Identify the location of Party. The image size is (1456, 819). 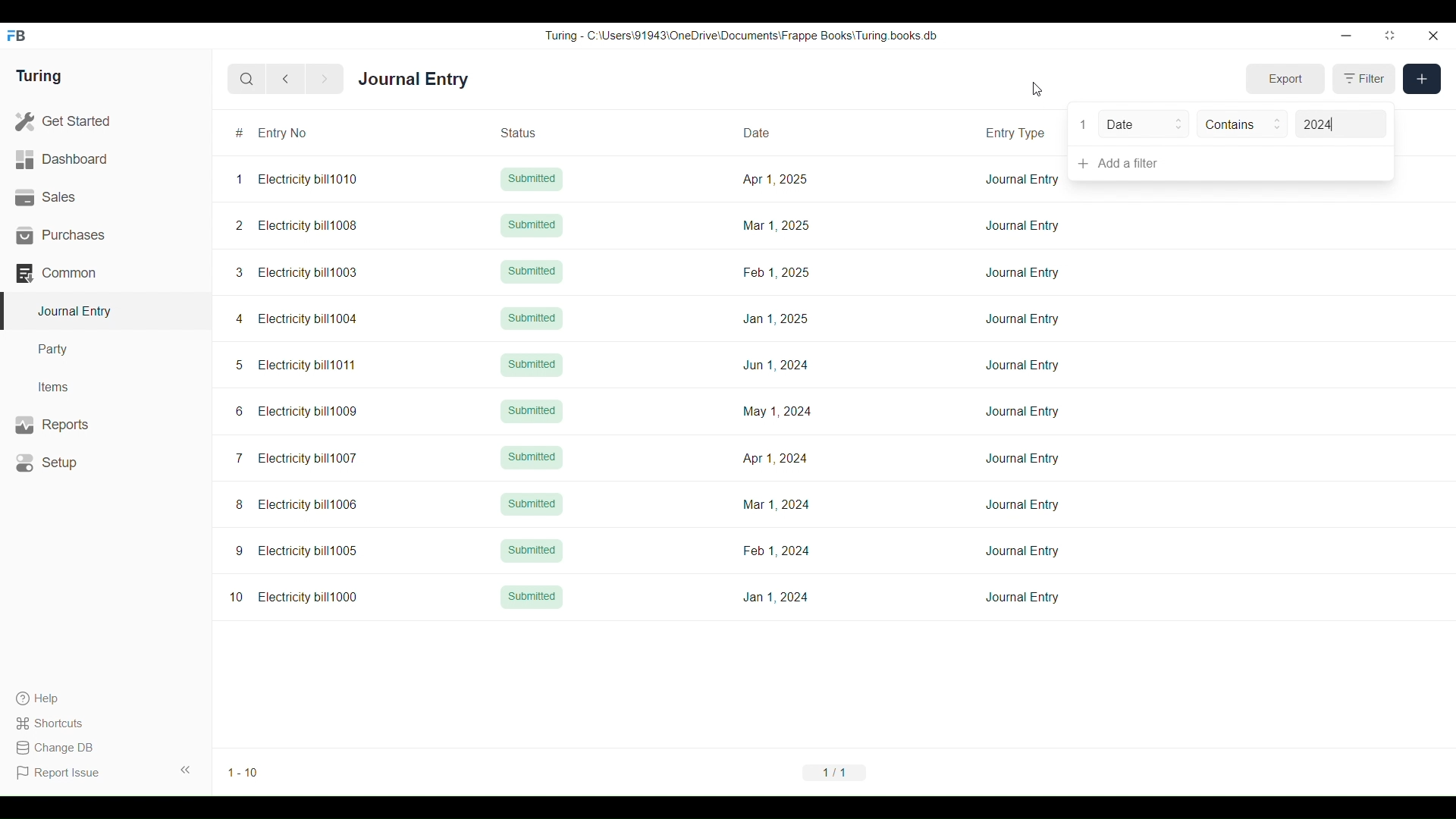
(105, 350).